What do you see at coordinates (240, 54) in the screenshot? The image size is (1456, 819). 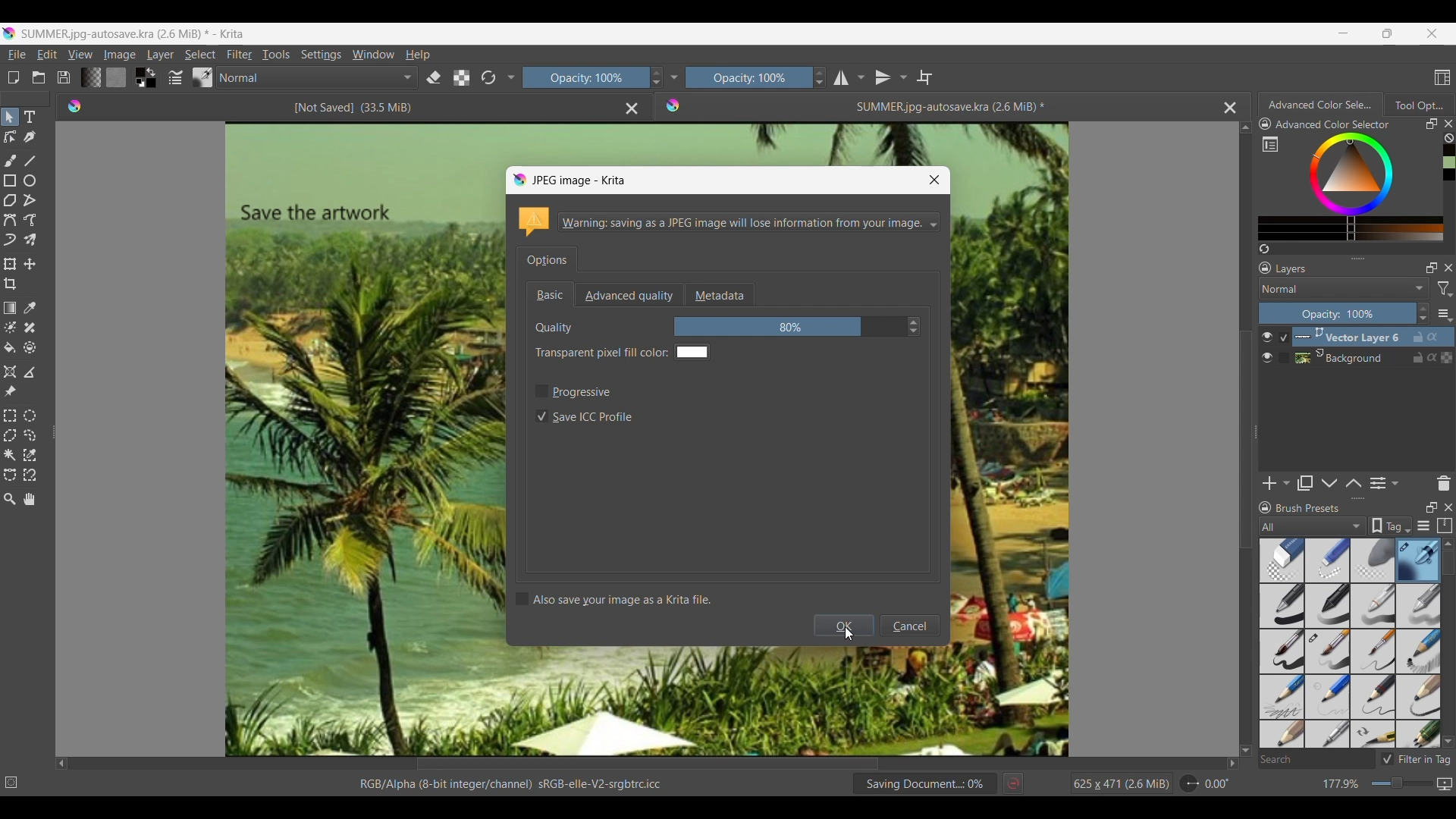 I see `Filter` at bounding box center [240, 54].